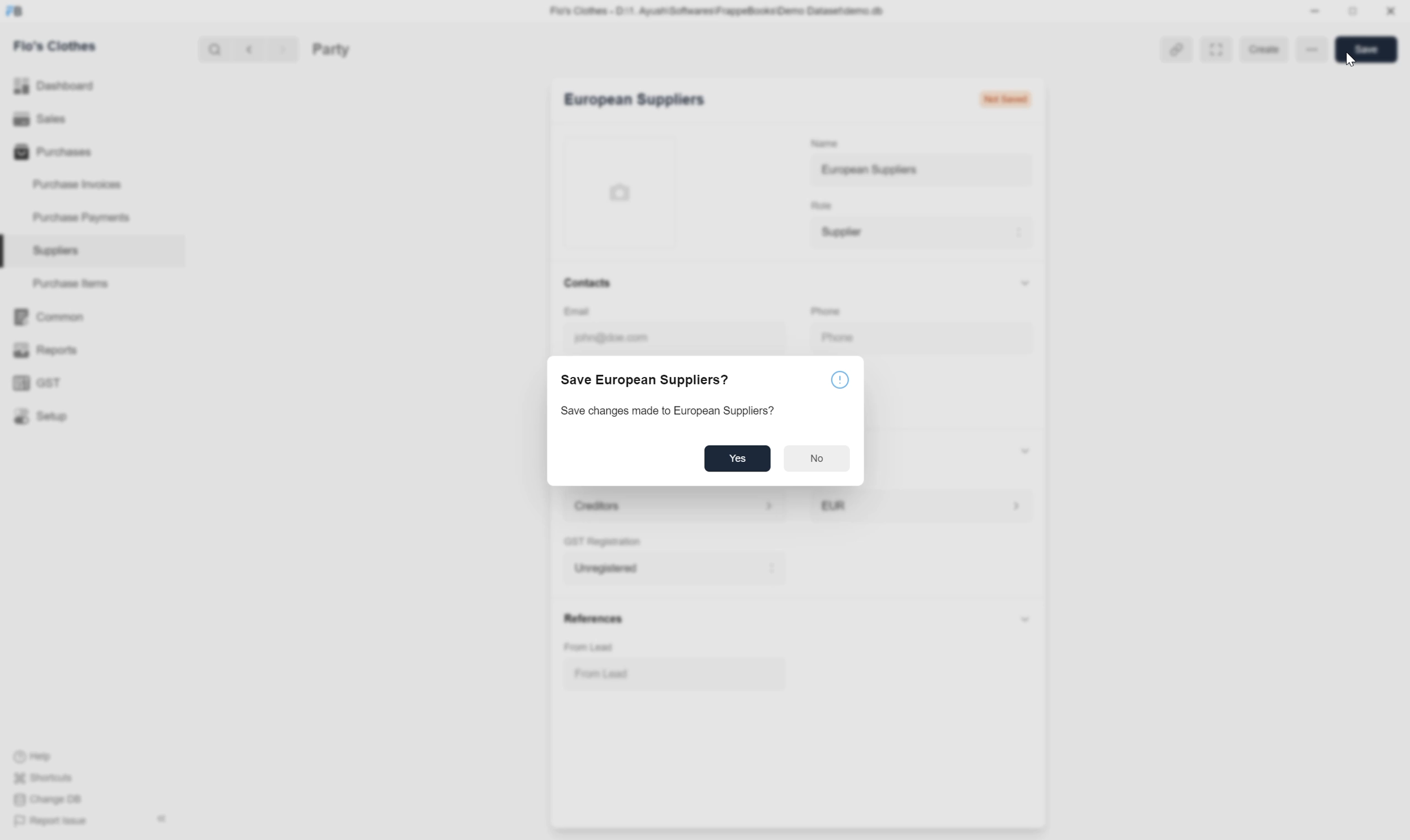 This screenshot has width=1410, height=840. What do you see at coordinates (75, 284) in the screenshot?
I see `purchase items` at bounding box center [75, 284].